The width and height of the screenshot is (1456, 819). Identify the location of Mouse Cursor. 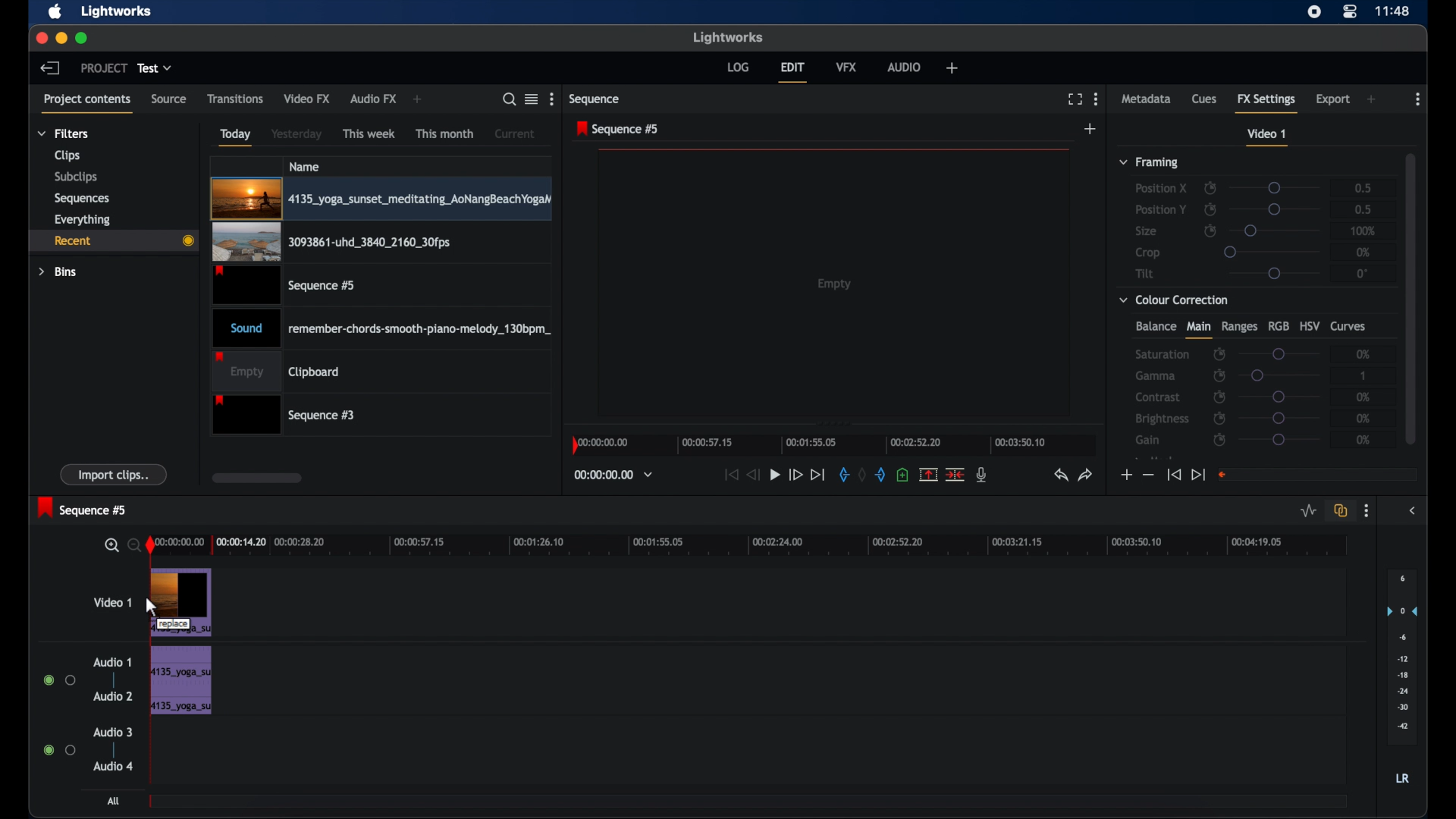
(159, 610).